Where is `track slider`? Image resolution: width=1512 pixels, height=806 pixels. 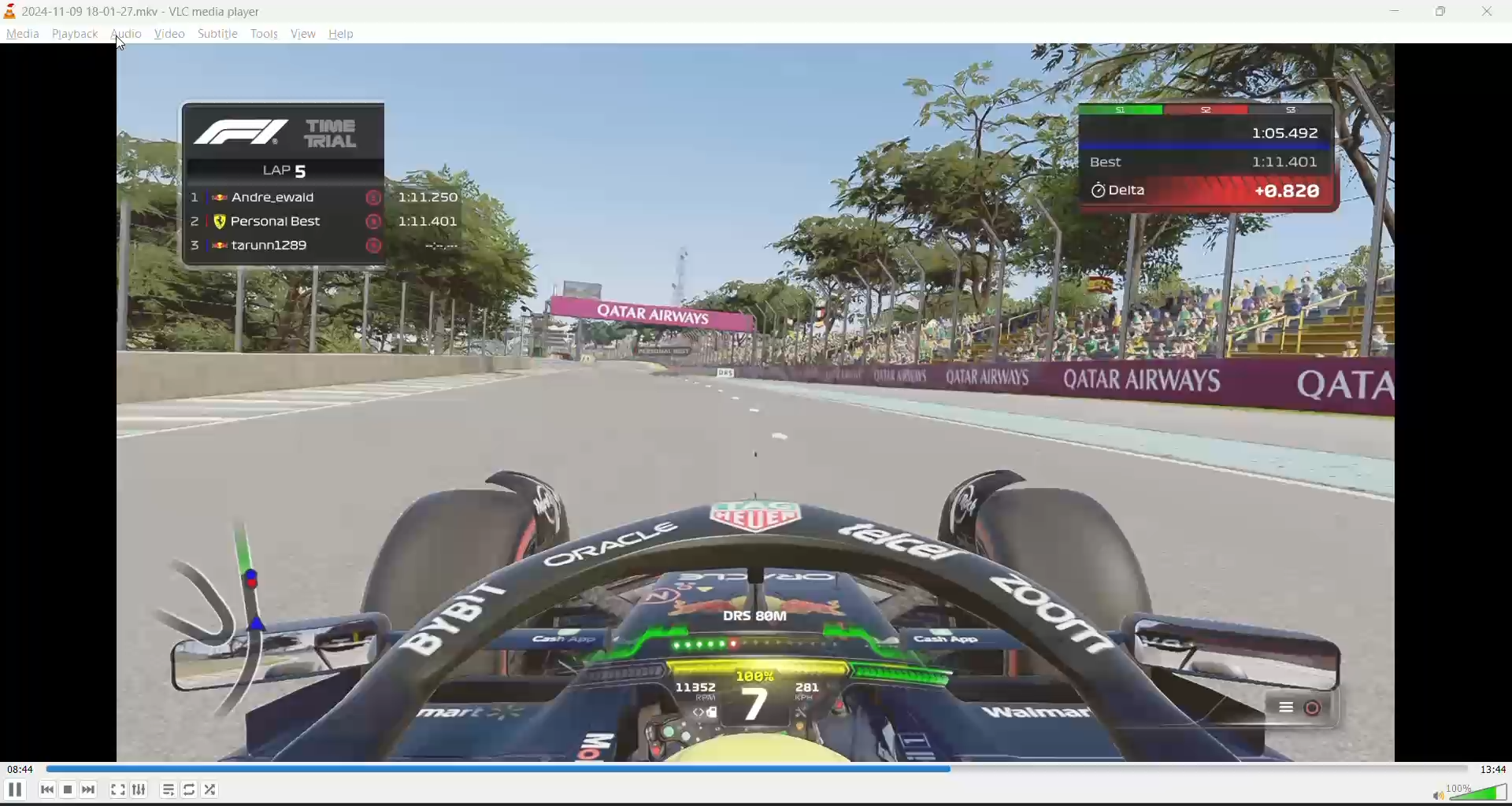 track slider is located at coordinates (756, 767).